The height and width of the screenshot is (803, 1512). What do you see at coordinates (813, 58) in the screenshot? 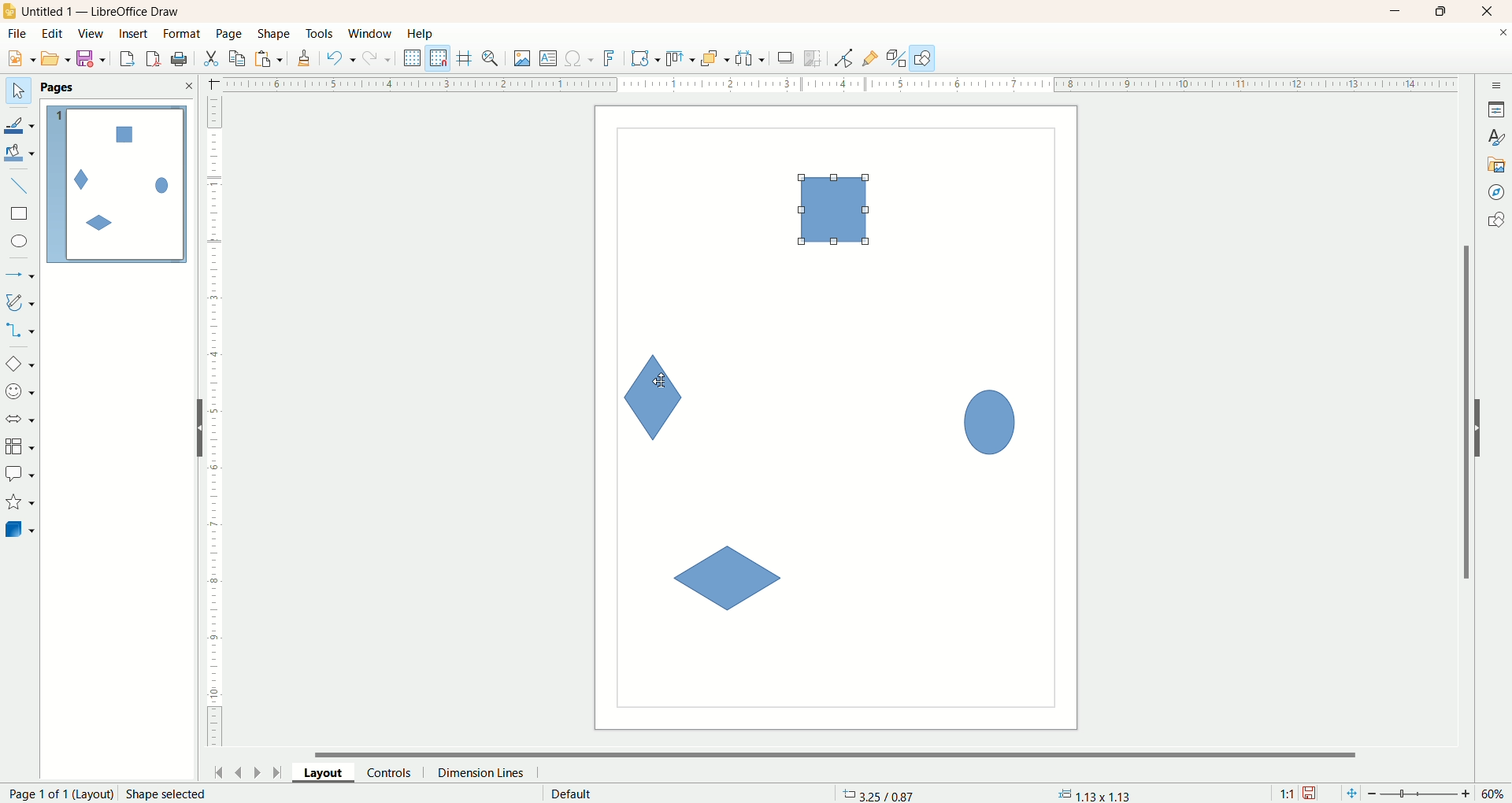
I see `crop image` at bounding box center [813, 58].